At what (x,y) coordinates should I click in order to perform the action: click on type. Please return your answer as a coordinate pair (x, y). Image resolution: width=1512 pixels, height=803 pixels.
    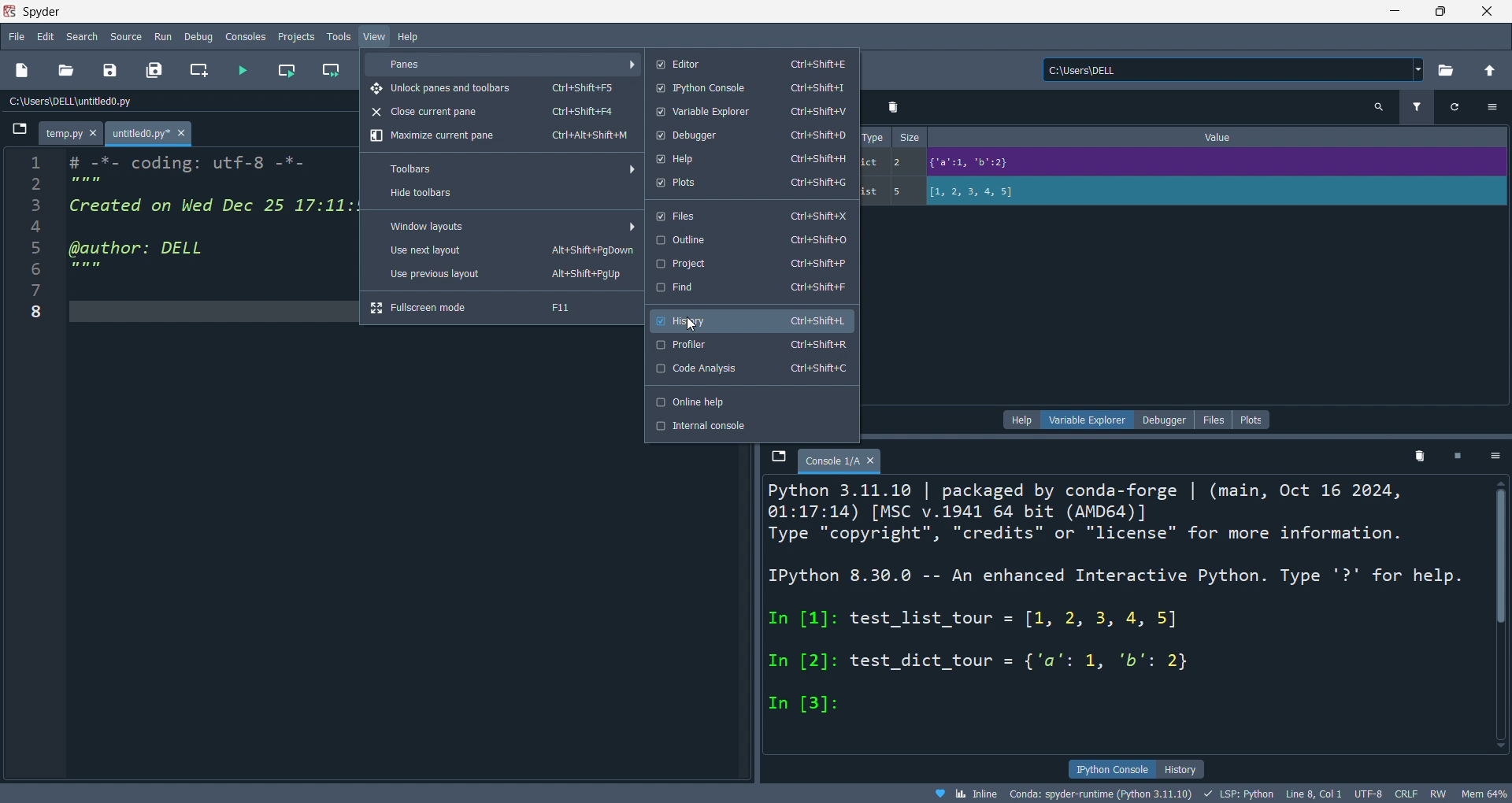
    Looking at the image, I should click on (873, 136).